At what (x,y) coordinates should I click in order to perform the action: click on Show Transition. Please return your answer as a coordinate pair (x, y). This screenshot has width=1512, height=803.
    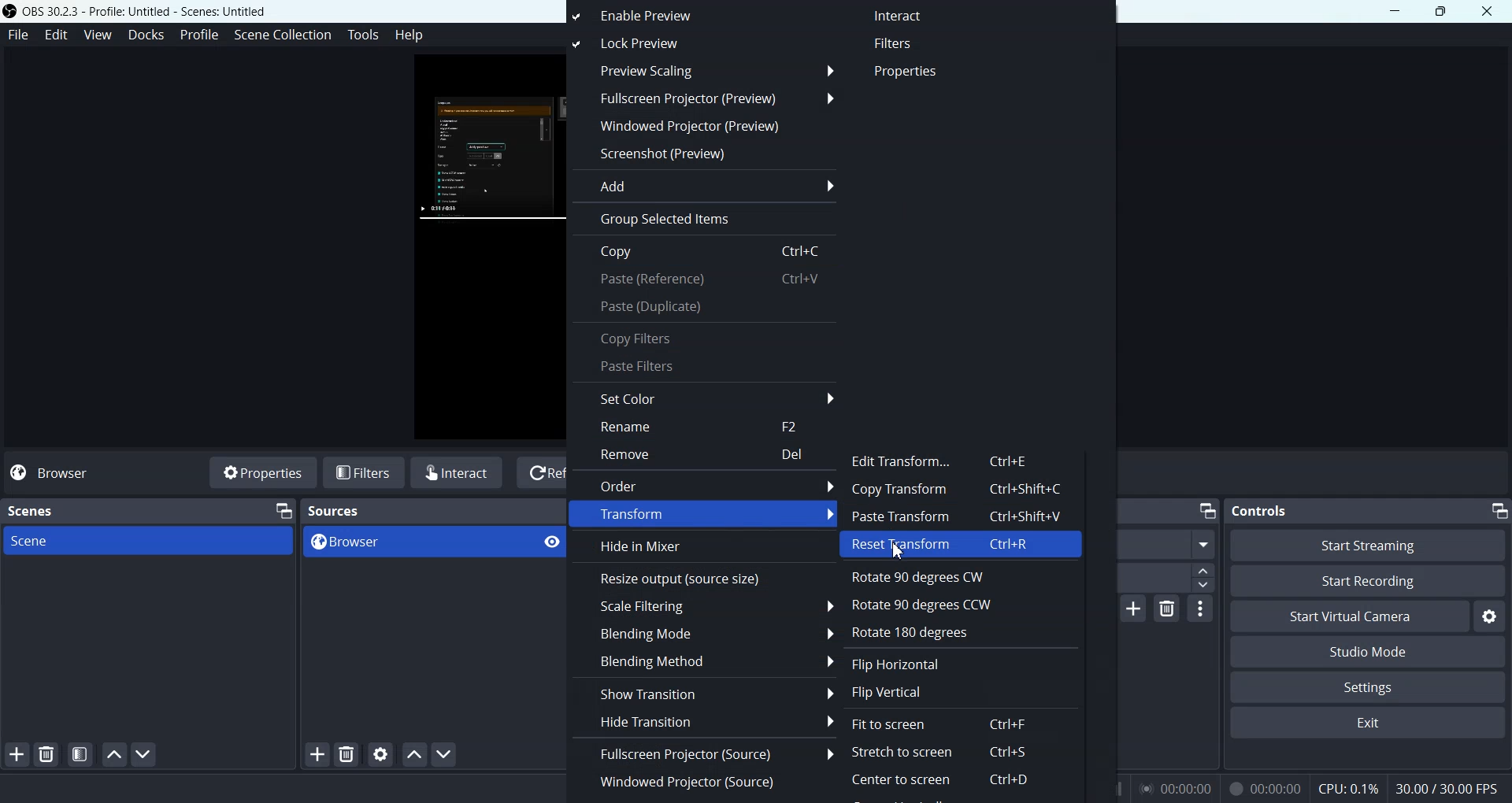
    Looking at the image, I should click on (703, 692).